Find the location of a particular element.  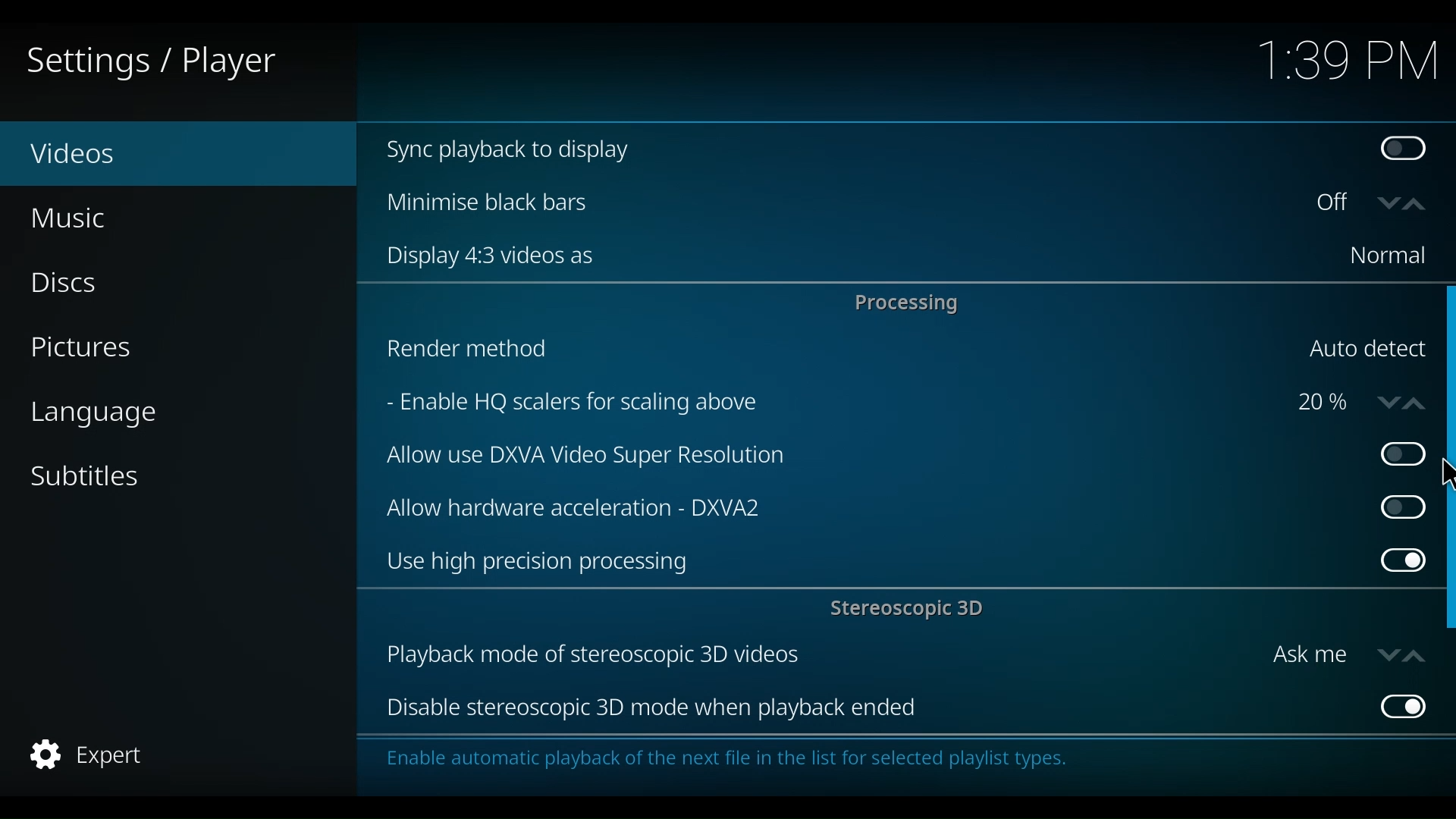

Toggle on/off Use high precision processing is located at coordinates (1402, 563).